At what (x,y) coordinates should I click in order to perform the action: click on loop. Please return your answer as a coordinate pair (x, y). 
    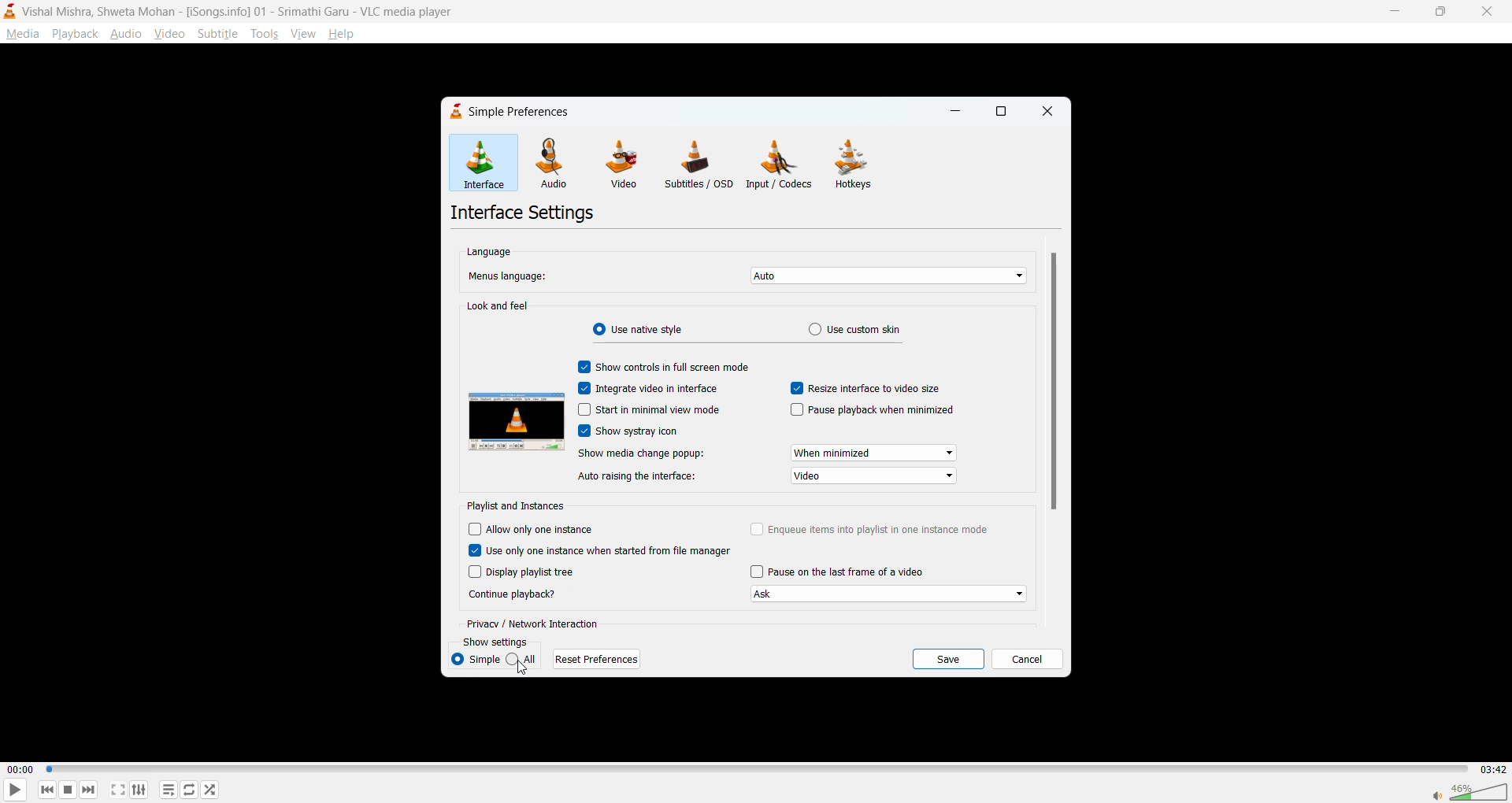
    Looking at the image, I should click on (187, 789).